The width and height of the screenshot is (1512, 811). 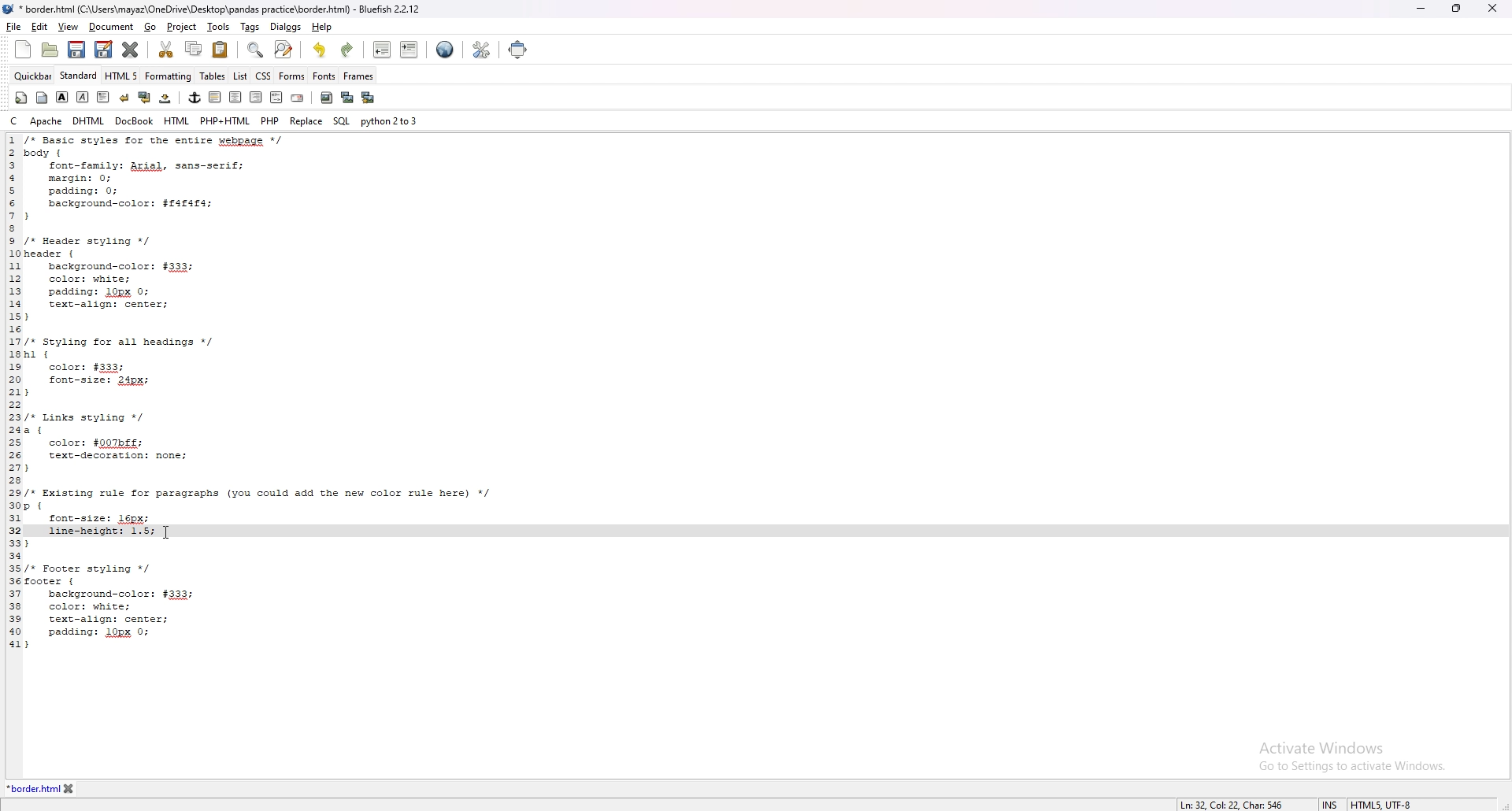 I want to click on insert thumbnail, so click(x=347, y=98).